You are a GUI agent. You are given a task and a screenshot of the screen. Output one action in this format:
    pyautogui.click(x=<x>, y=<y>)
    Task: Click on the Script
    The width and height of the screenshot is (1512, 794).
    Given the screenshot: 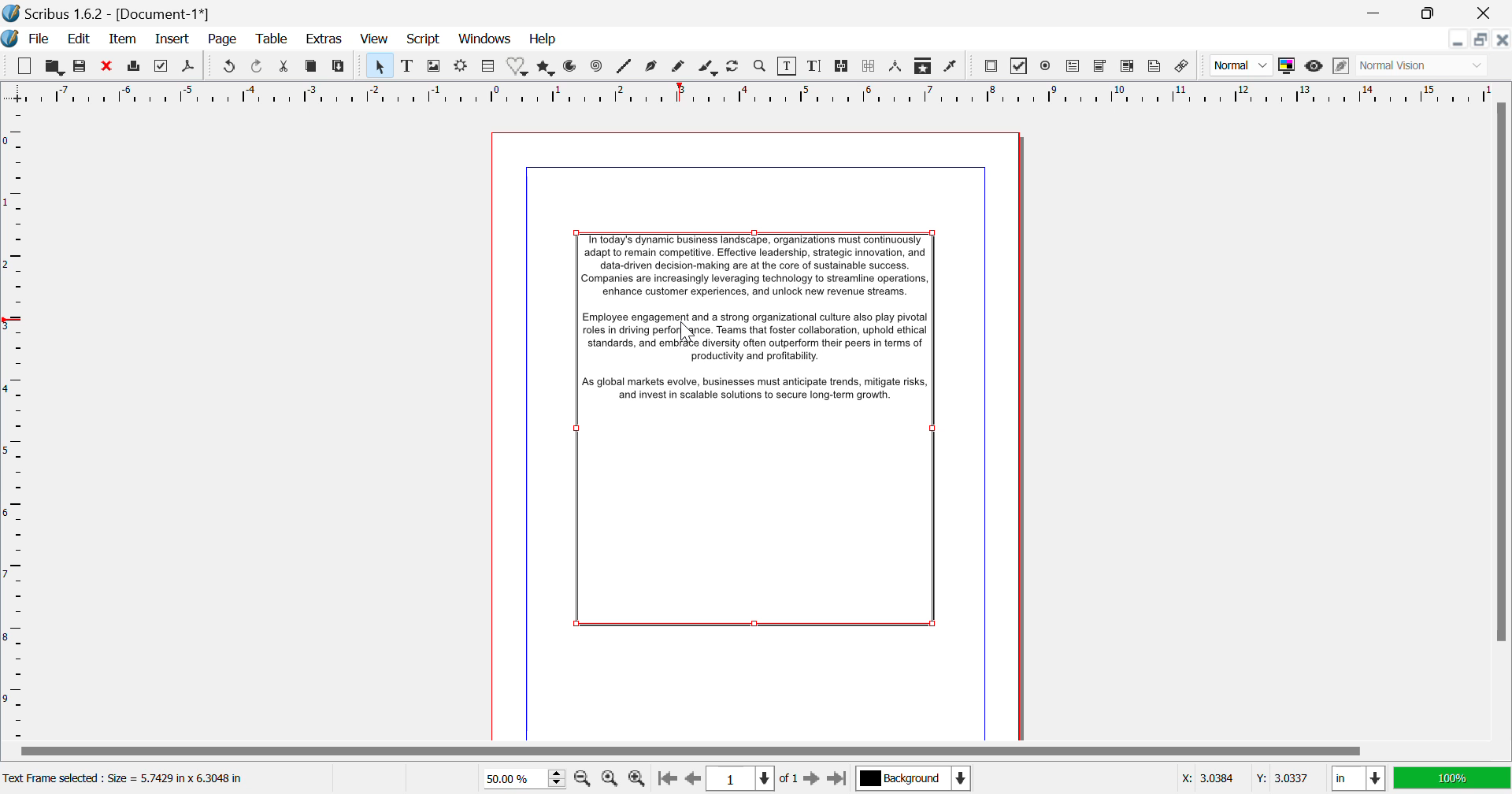 What is the action you would take?
    pyautogui.click(x=422, y=40)
    